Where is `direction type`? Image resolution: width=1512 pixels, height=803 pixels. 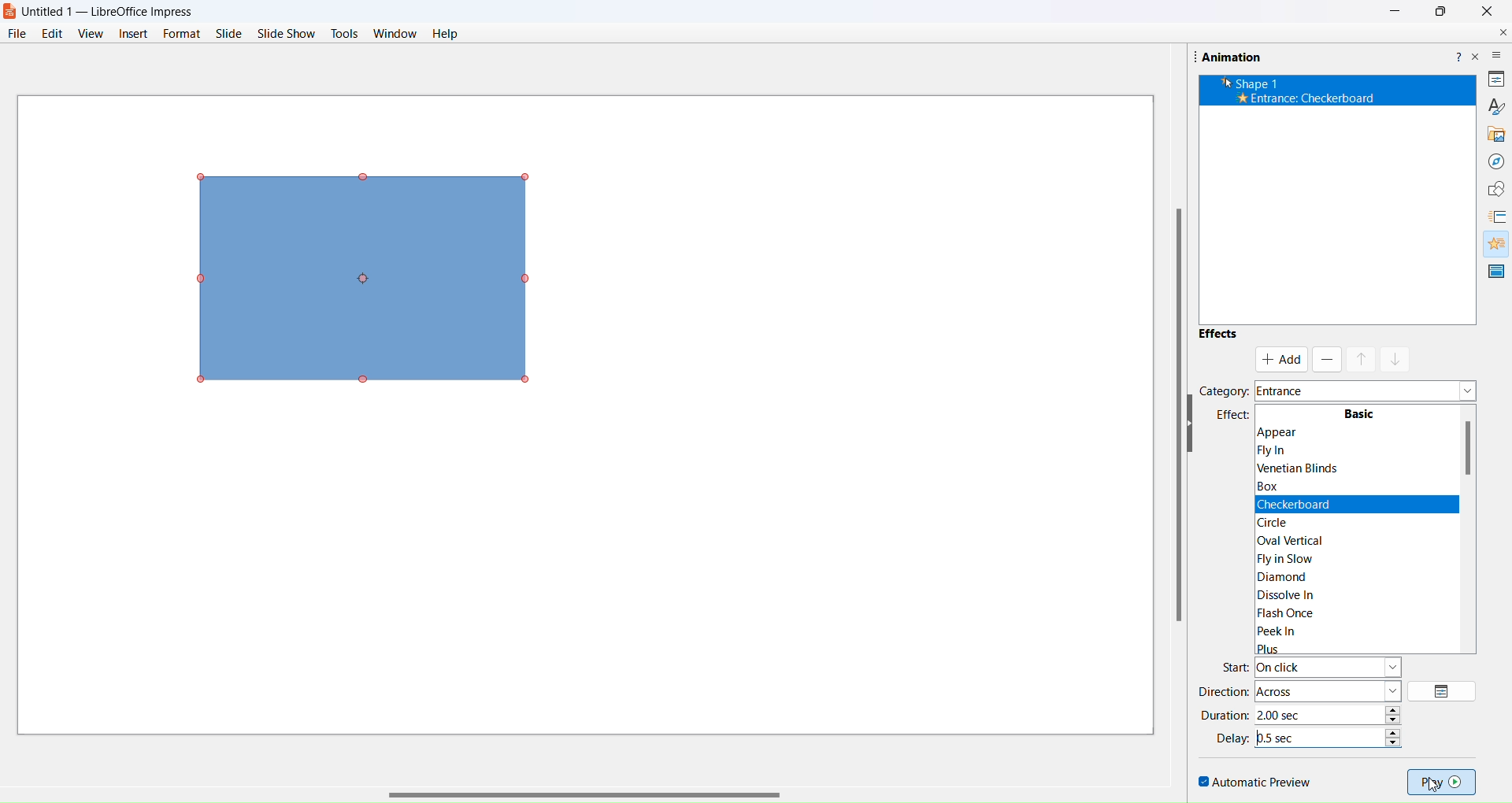
direction type is located at coordinates (1329, 690).